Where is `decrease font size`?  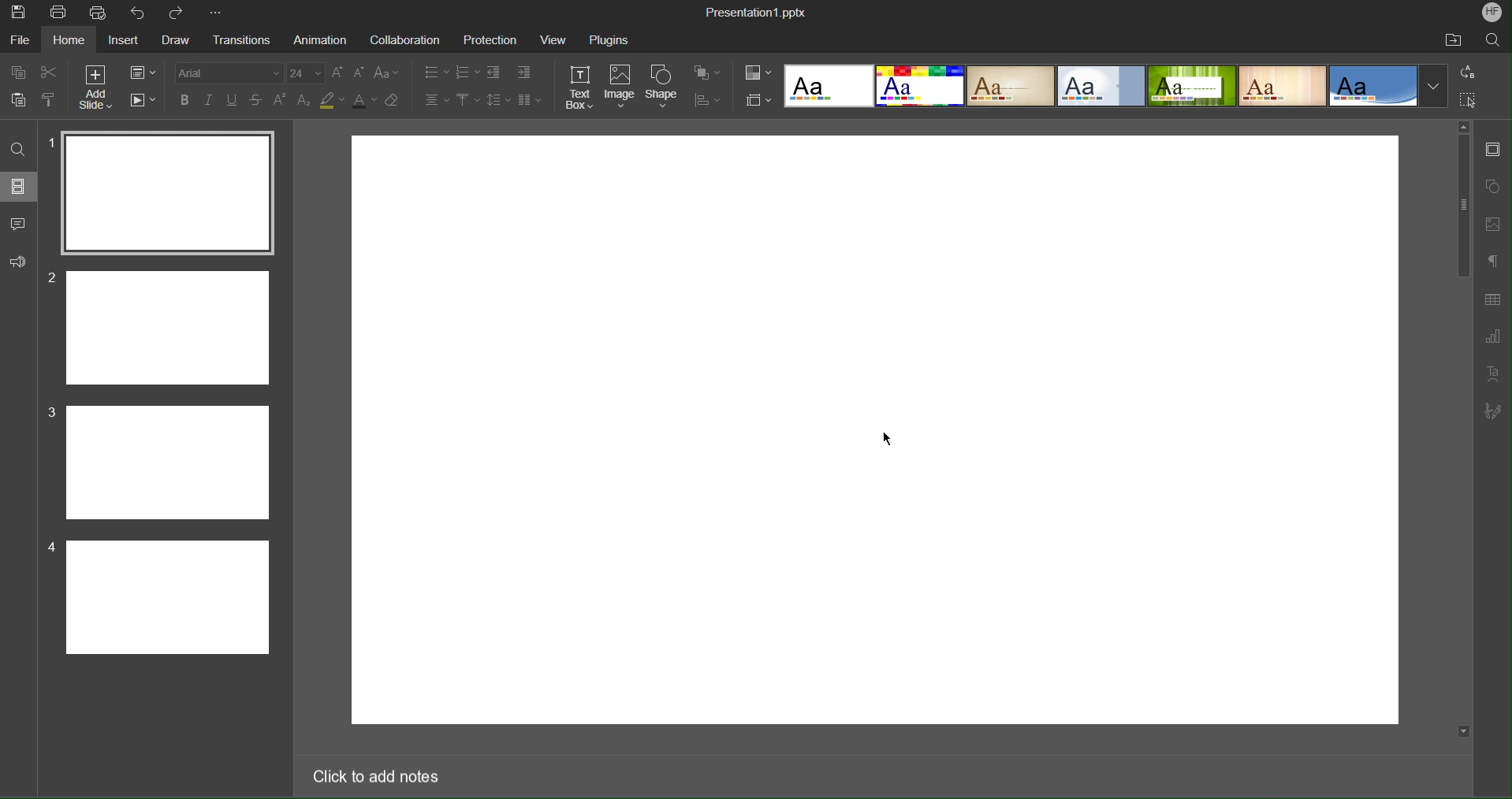 decrease font size is located at coordinates (357, 72).